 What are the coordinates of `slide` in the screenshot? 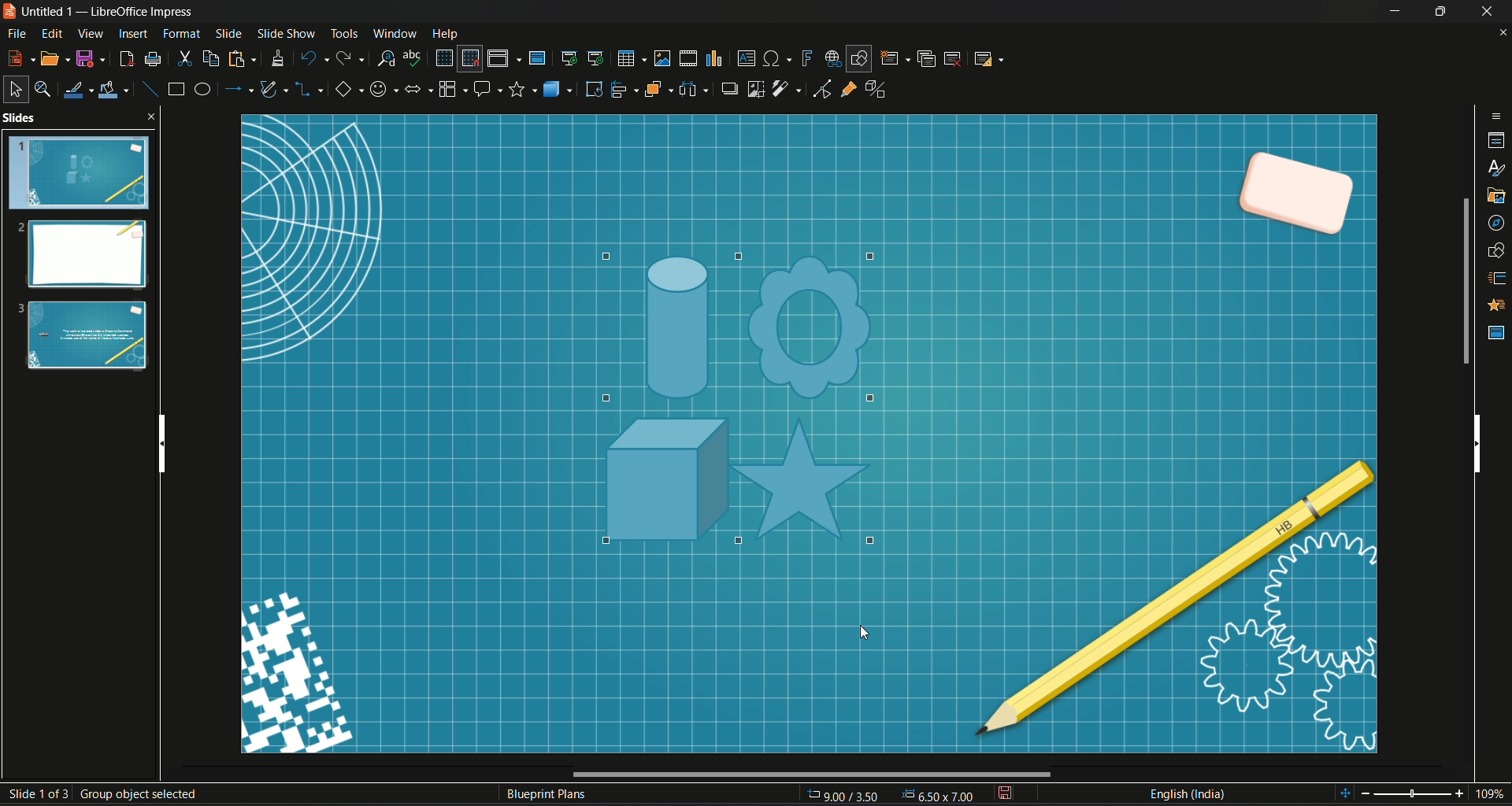 It's located at (229, 32).